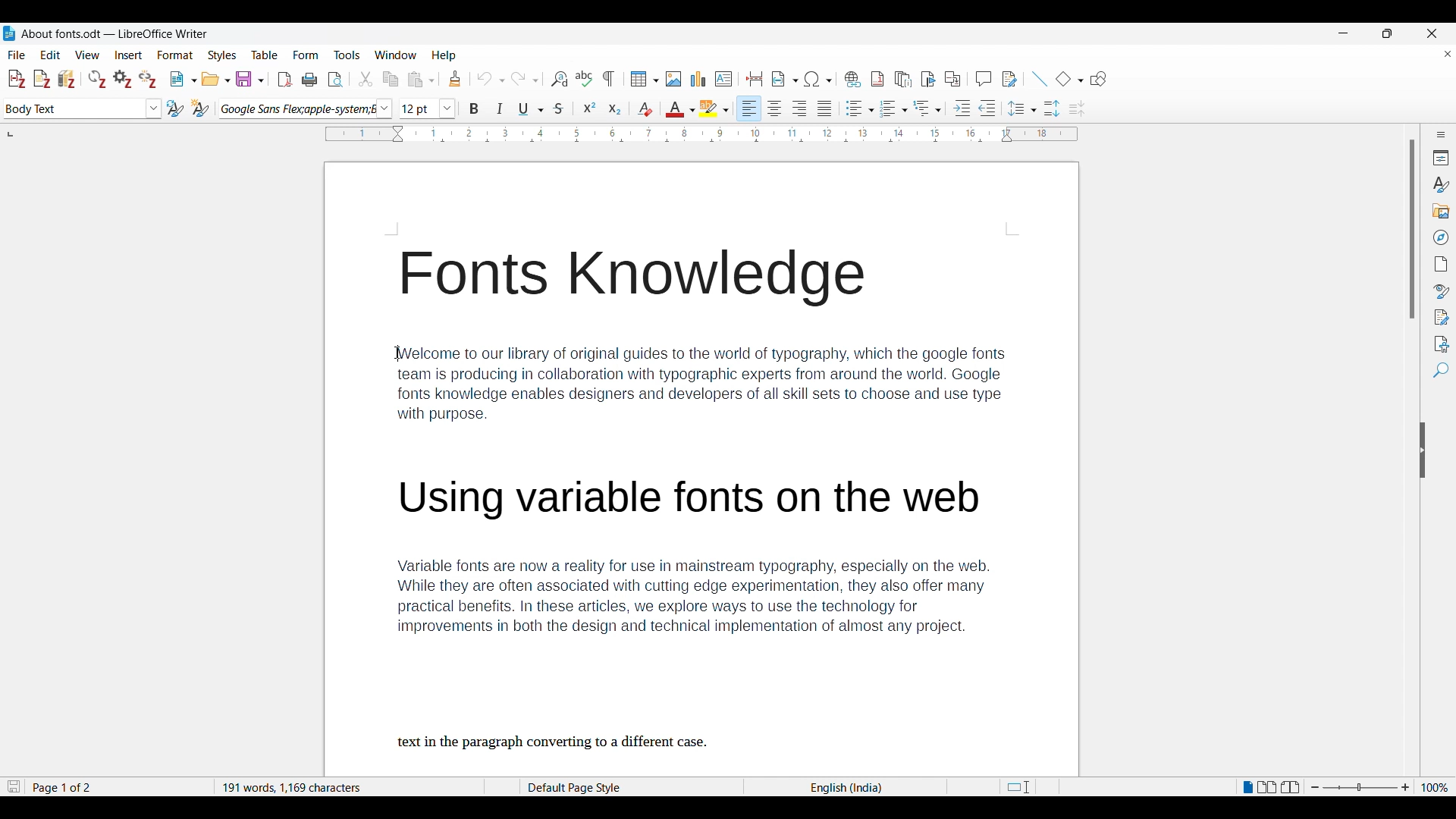 The image size is (1456, 819). I want to click on Export directly as PDF, so click(286, 80).